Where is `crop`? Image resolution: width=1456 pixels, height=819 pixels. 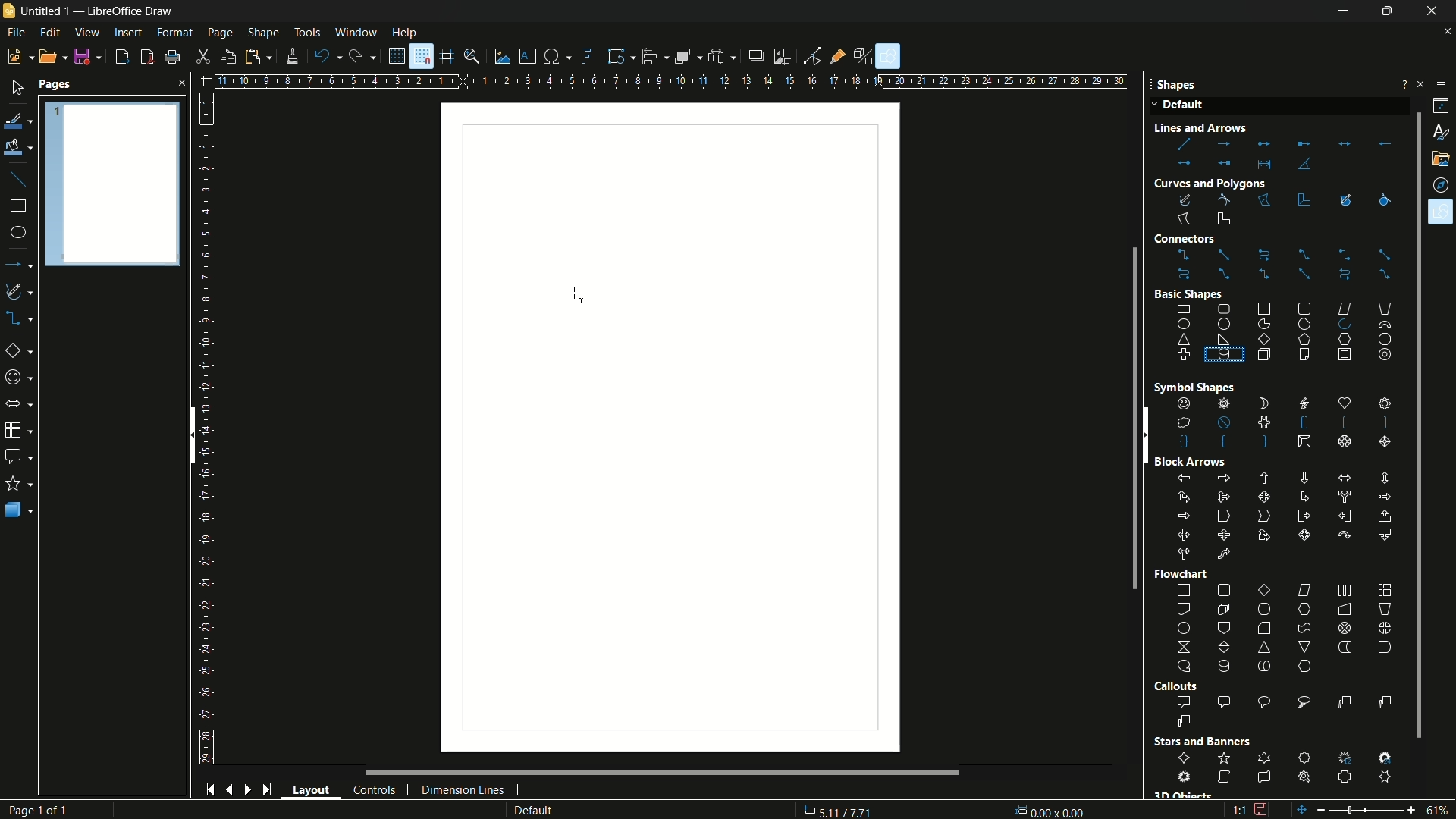 crop is located at coordinates (781, 56).